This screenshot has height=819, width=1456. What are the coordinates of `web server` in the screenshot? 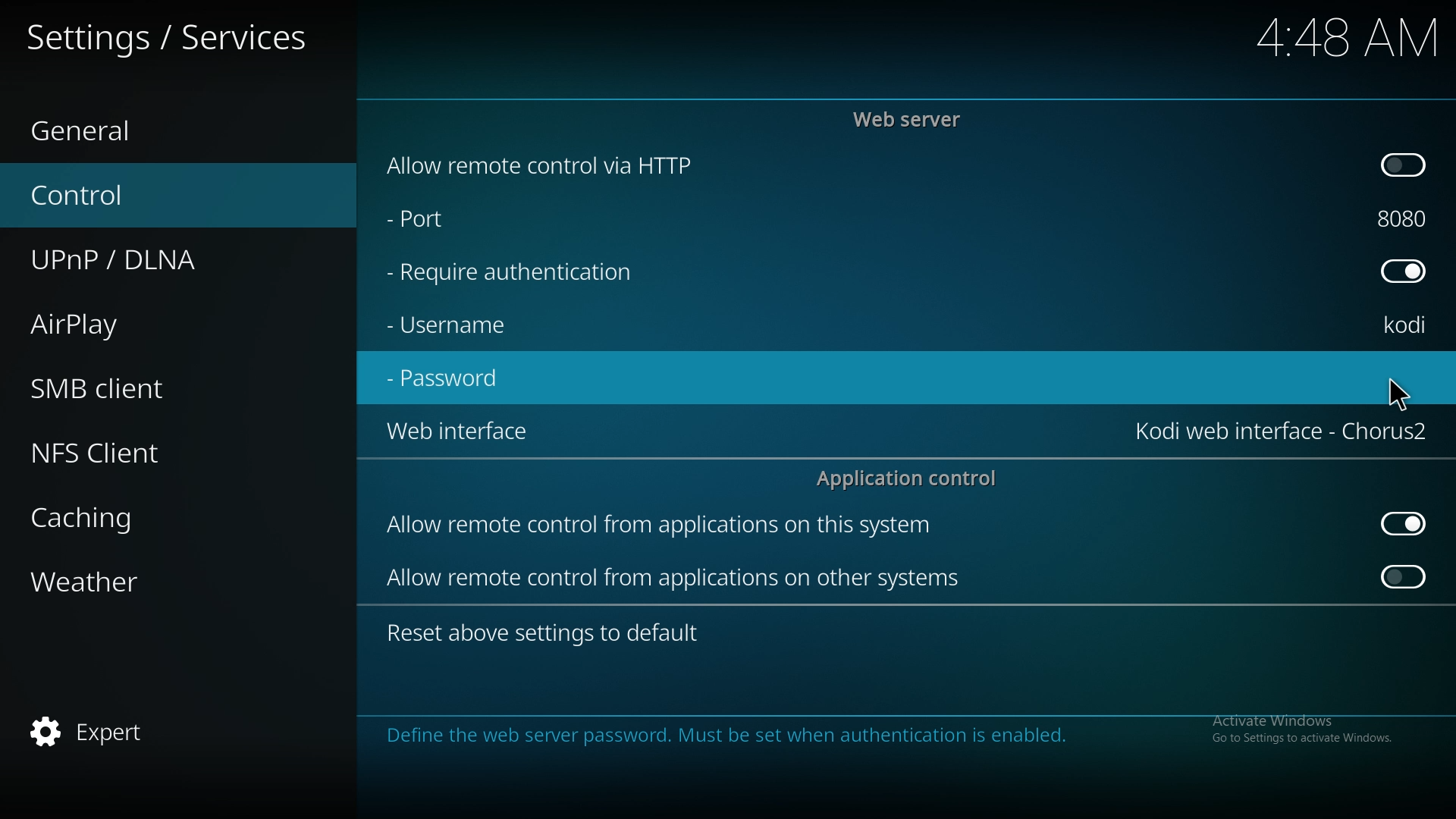 It's located at (915, 118).